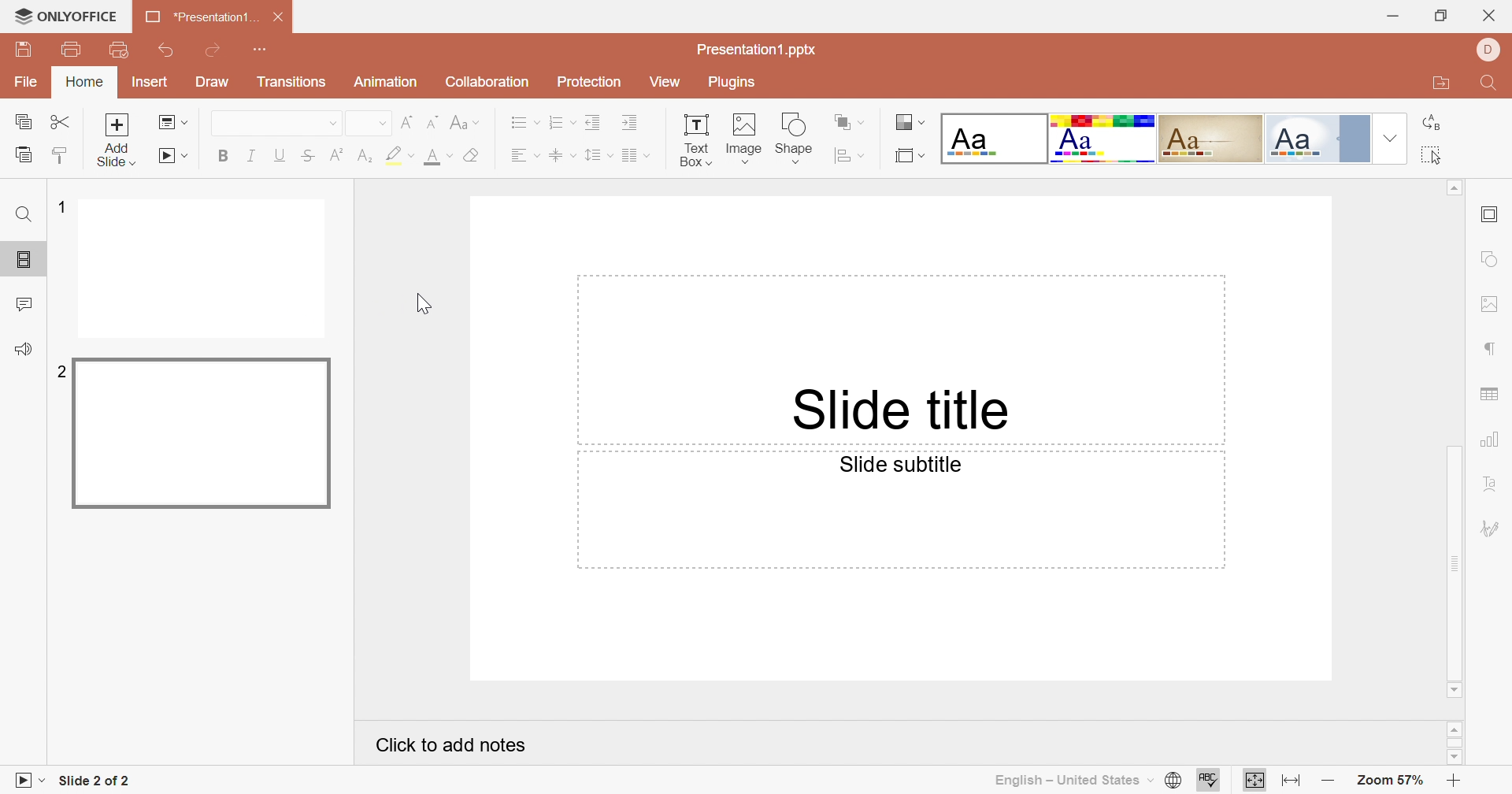 Image resolution: width=1512 pixels, height=794 pixels. I want to click on Clear style, so click(476, 155).